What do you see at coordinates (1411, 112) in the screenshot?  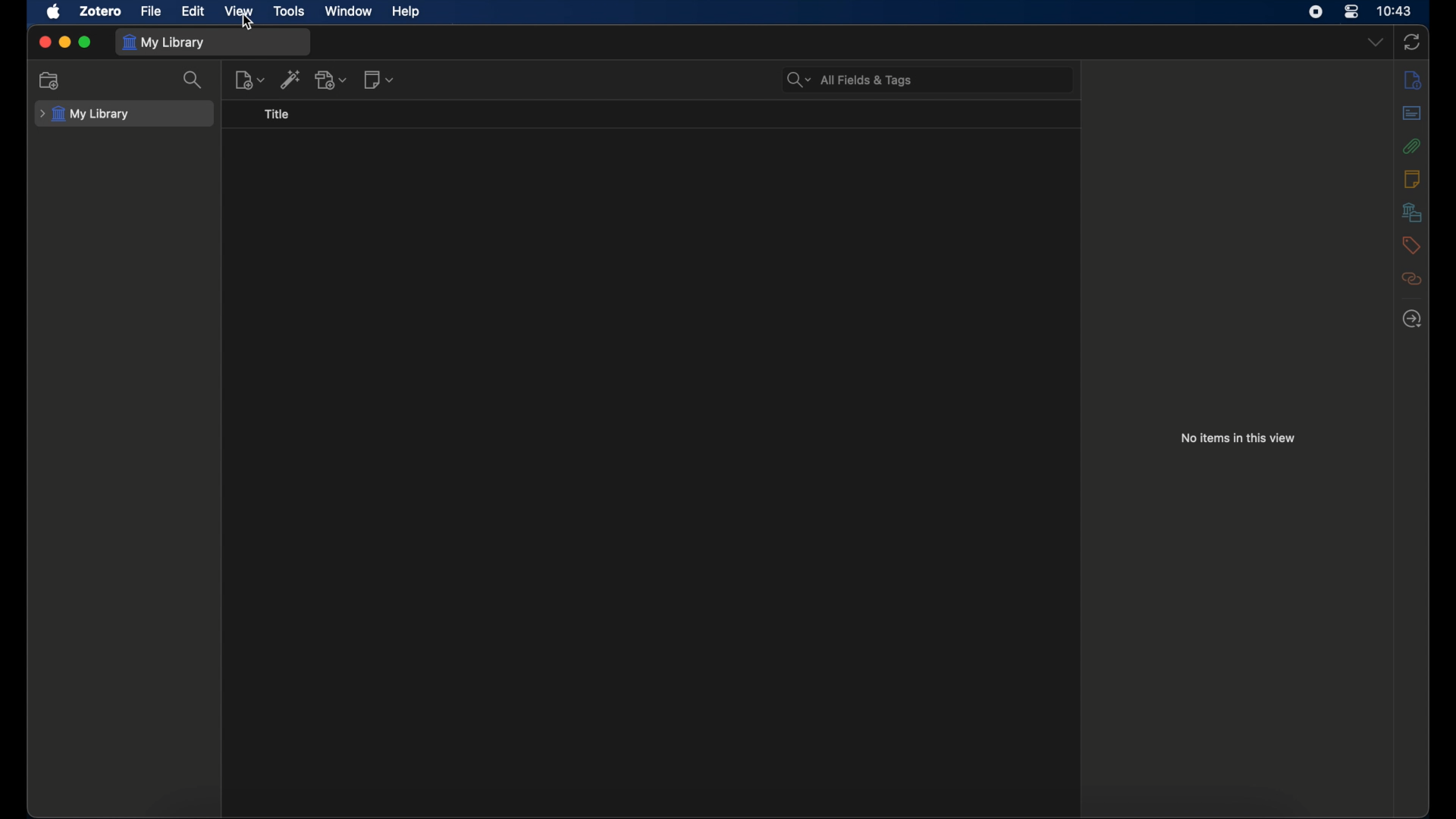 I see `abstract` at bounding box center [1411, 112].